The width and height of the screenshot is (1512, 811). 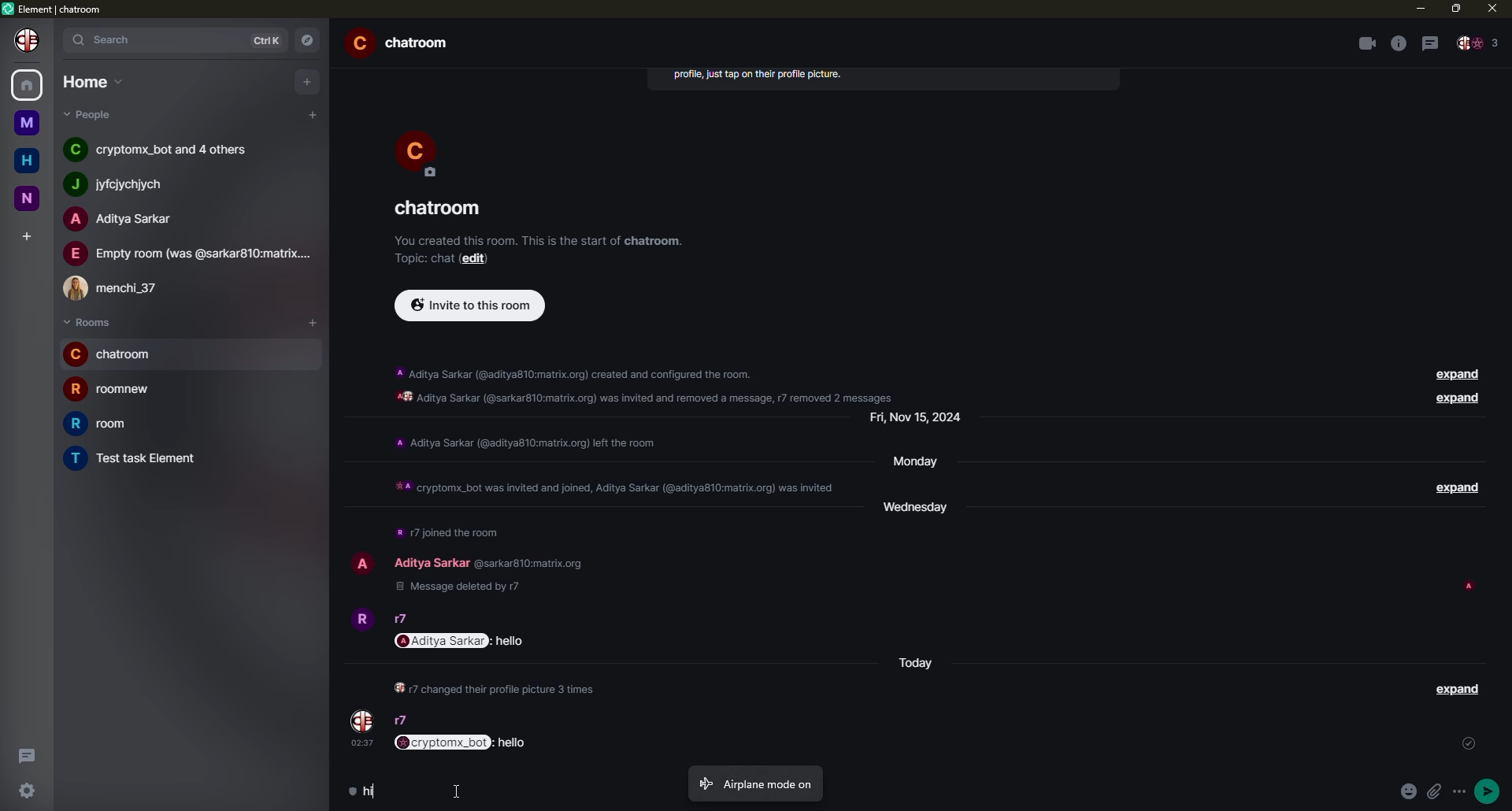 I want to click on room, so click(x=112, y=354).